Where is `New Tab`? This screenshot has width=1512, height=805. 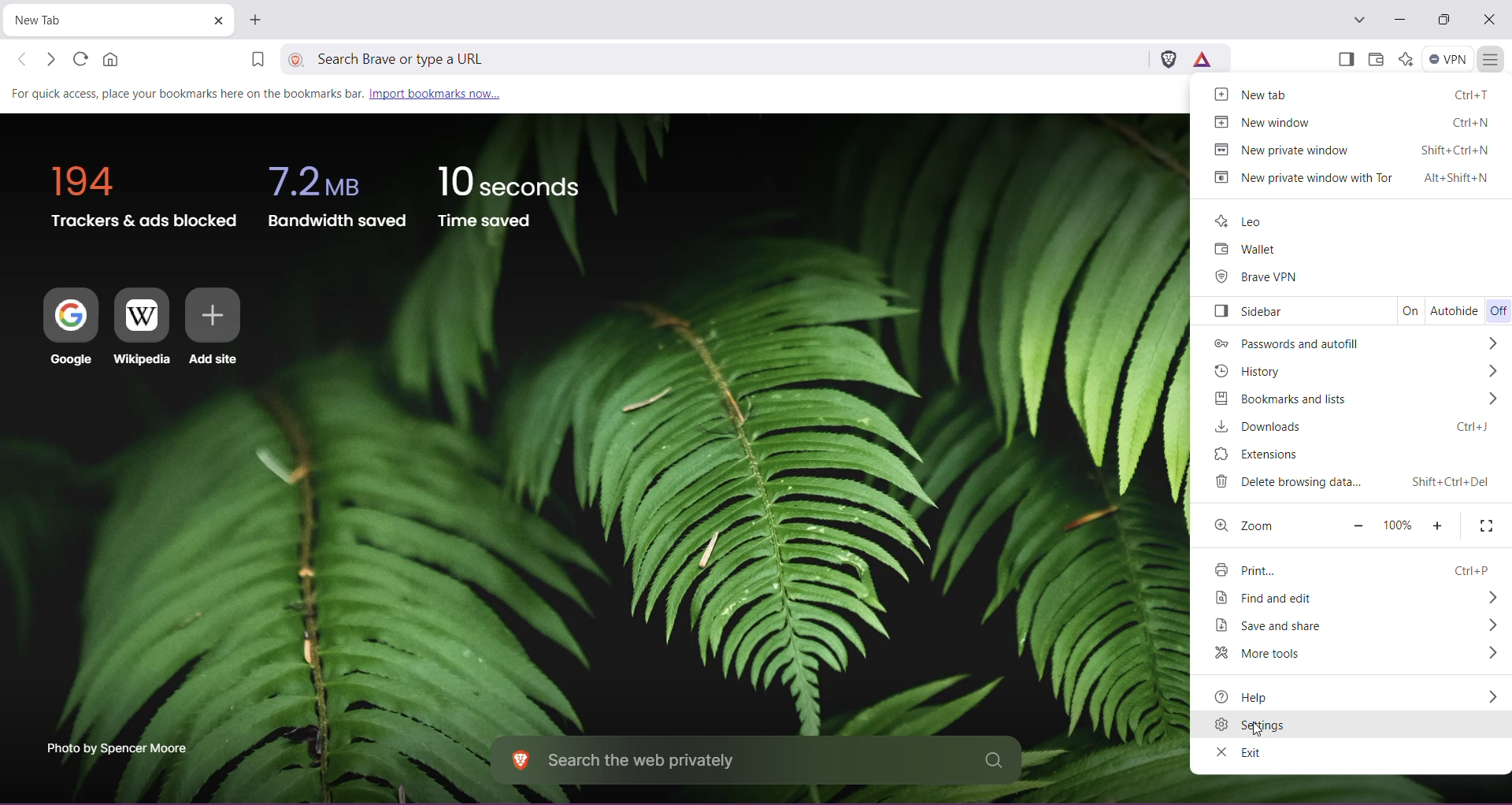
New Tab is located at coordinates (1351, 93).